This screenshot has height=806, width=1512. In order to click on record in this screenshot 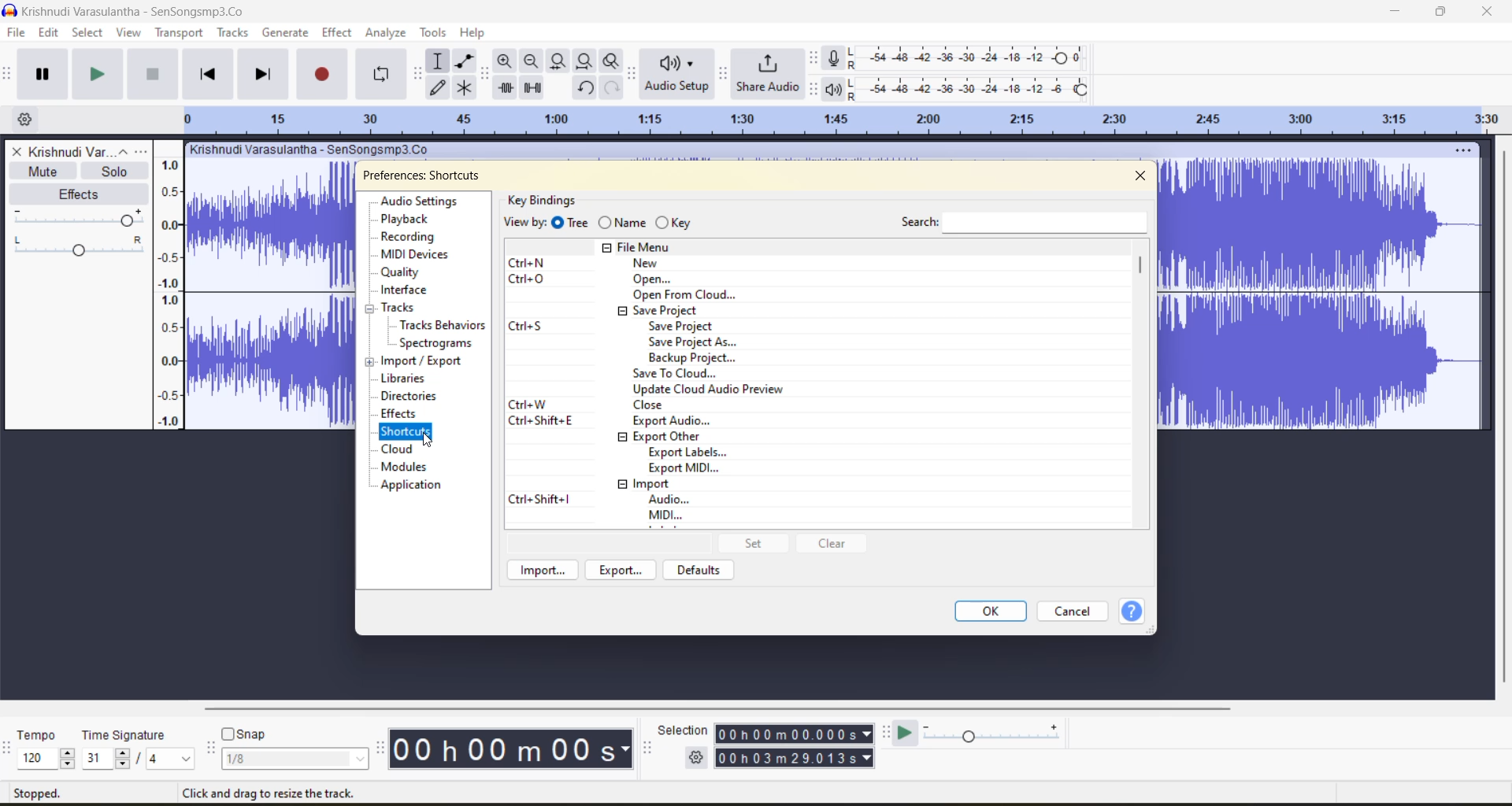, I will do `click(324, 73)`.